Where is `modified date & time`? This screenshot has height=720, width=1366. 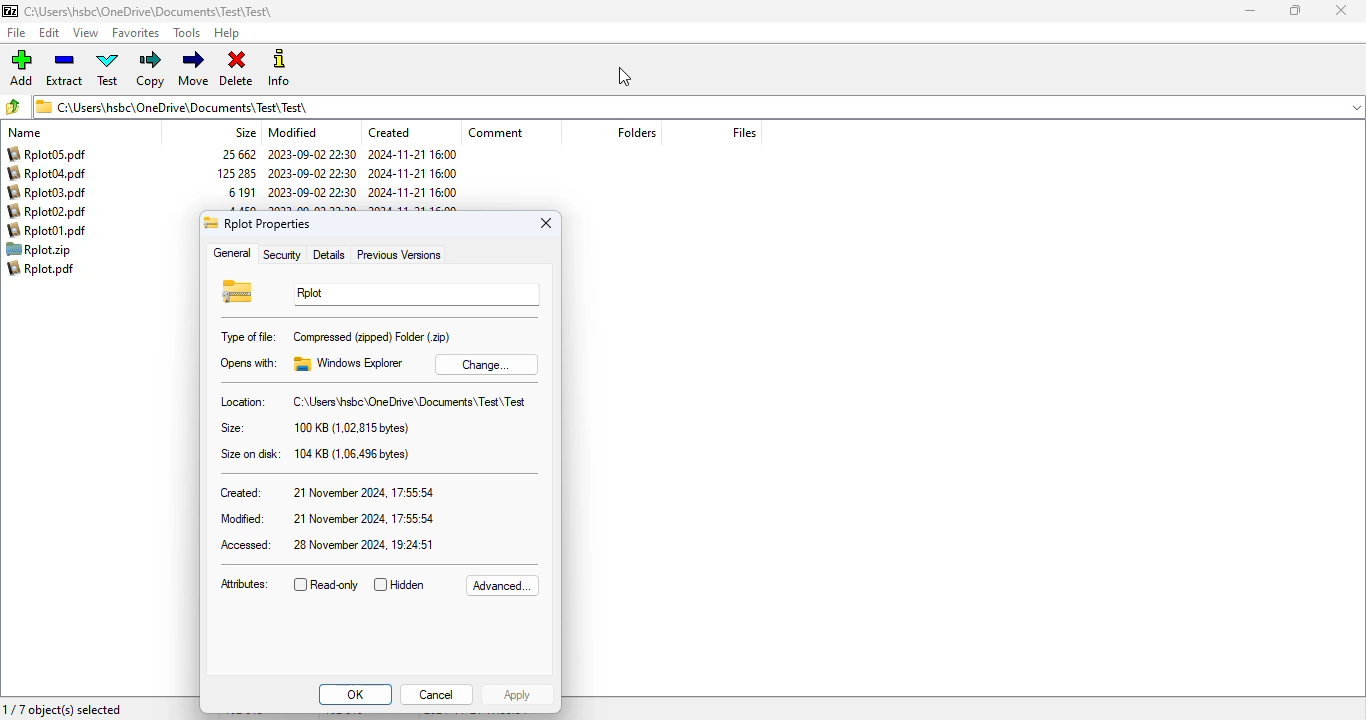 modified date & time is located at coordinates (312, 174).